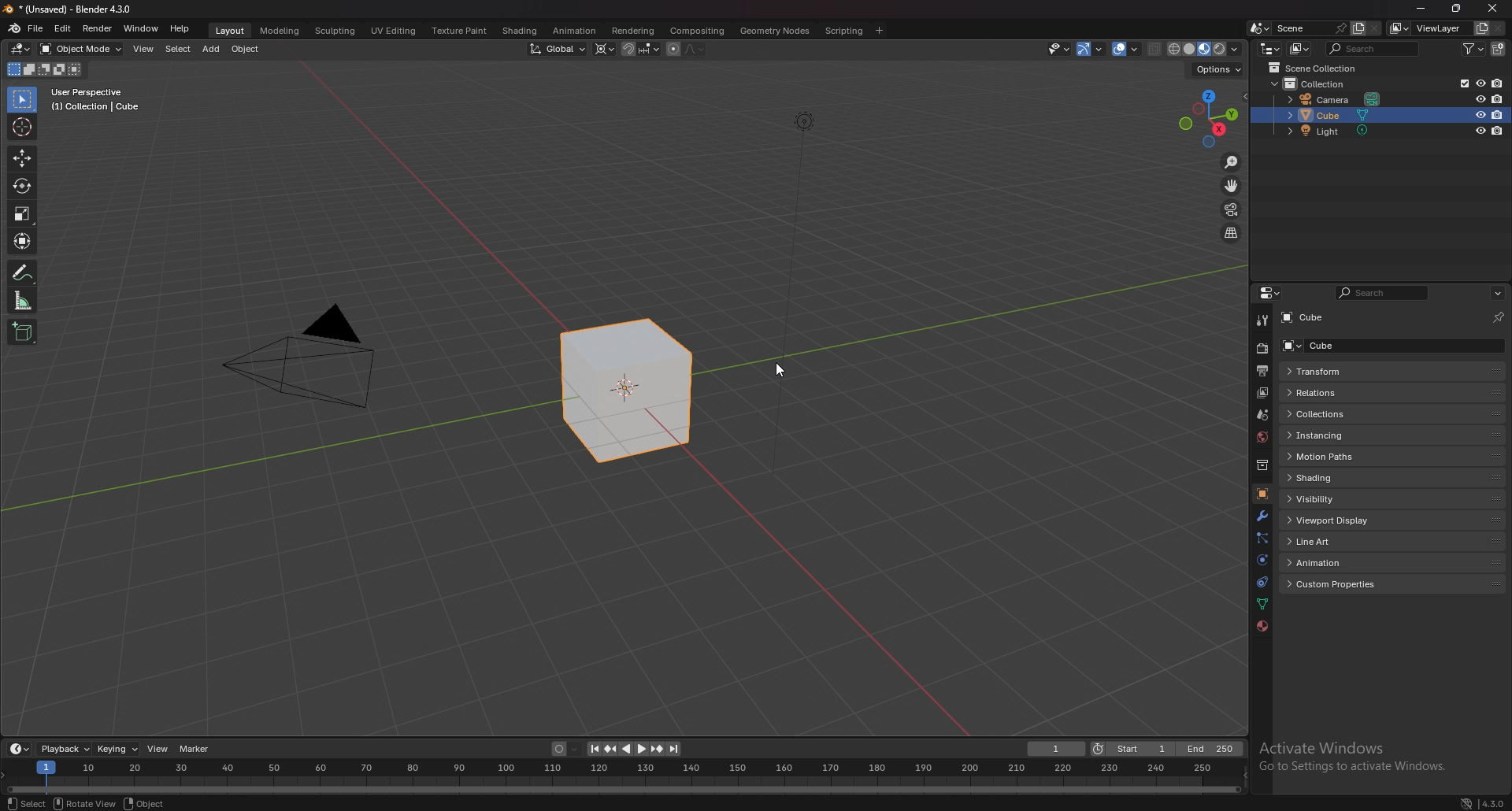 The width and height of the screenshot is (1512, 811). What do you see at coordinates (195, 749) in the screenshot?
I see `marker` at bounding box center [195, 749].